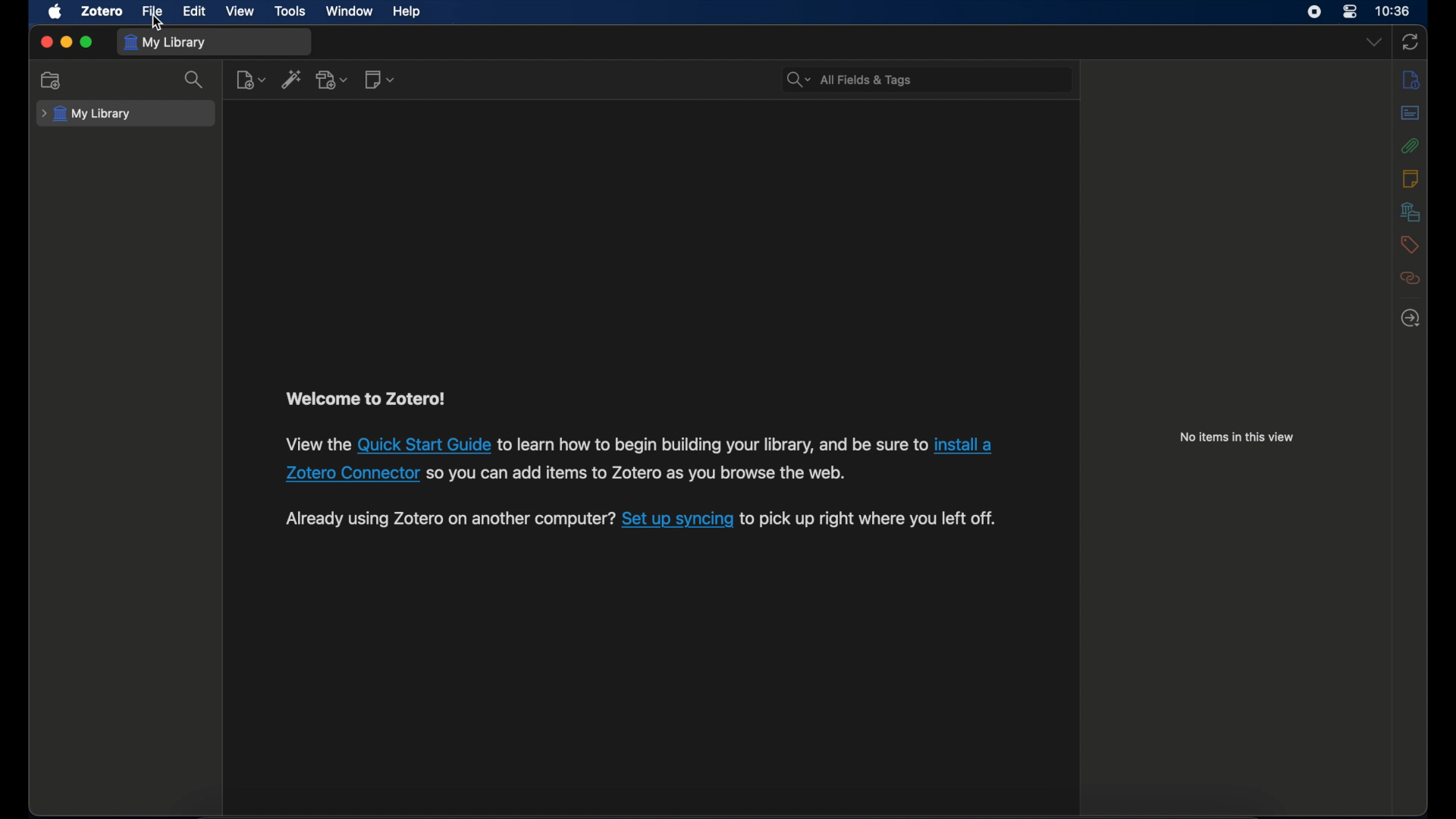  What do you see at coordinates (46, 42) in the screenshot?
I see `close` at bounding box center [46, 42].